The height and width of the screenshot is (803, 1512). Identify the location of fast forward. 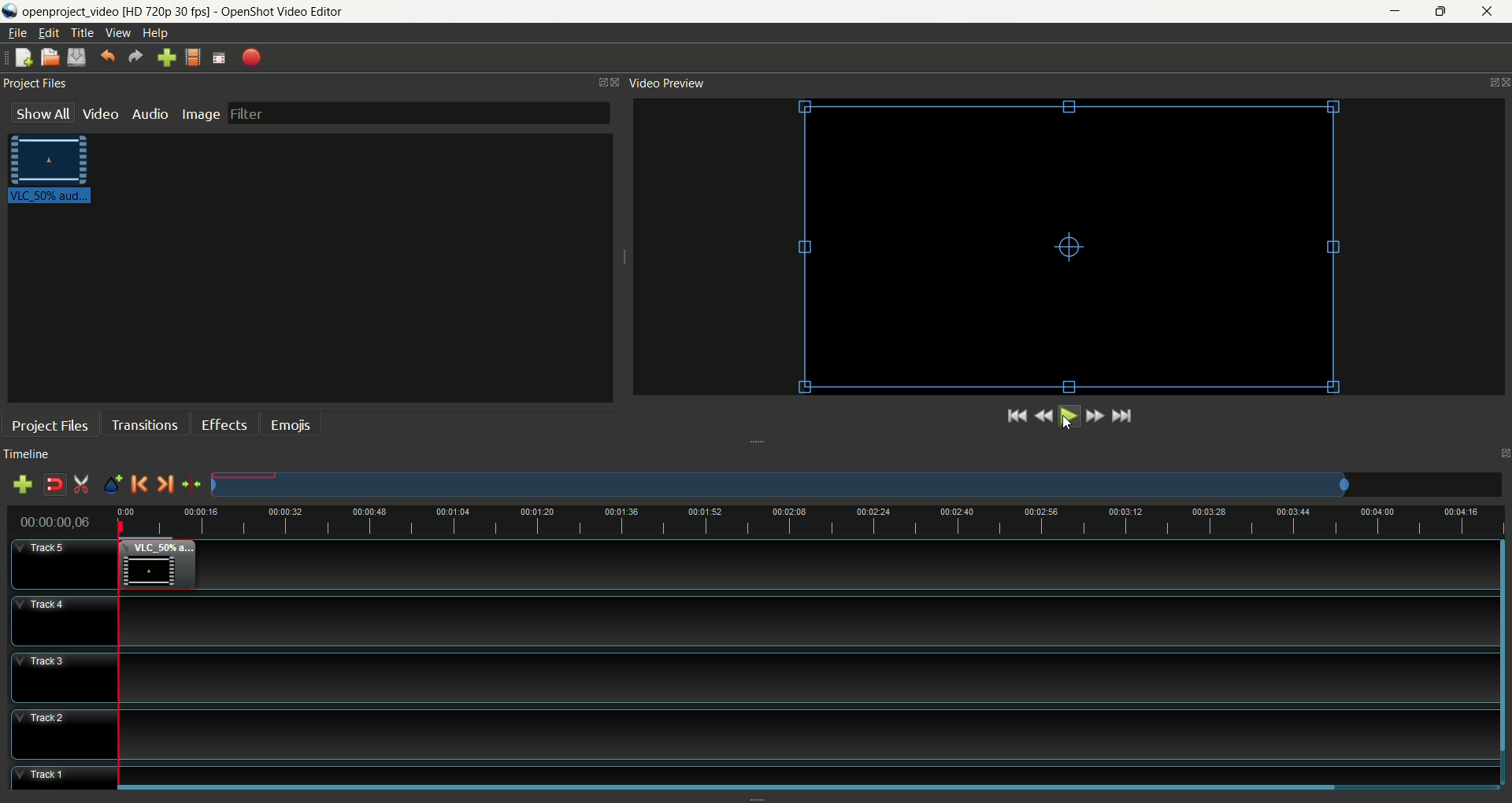
(1094, 416).